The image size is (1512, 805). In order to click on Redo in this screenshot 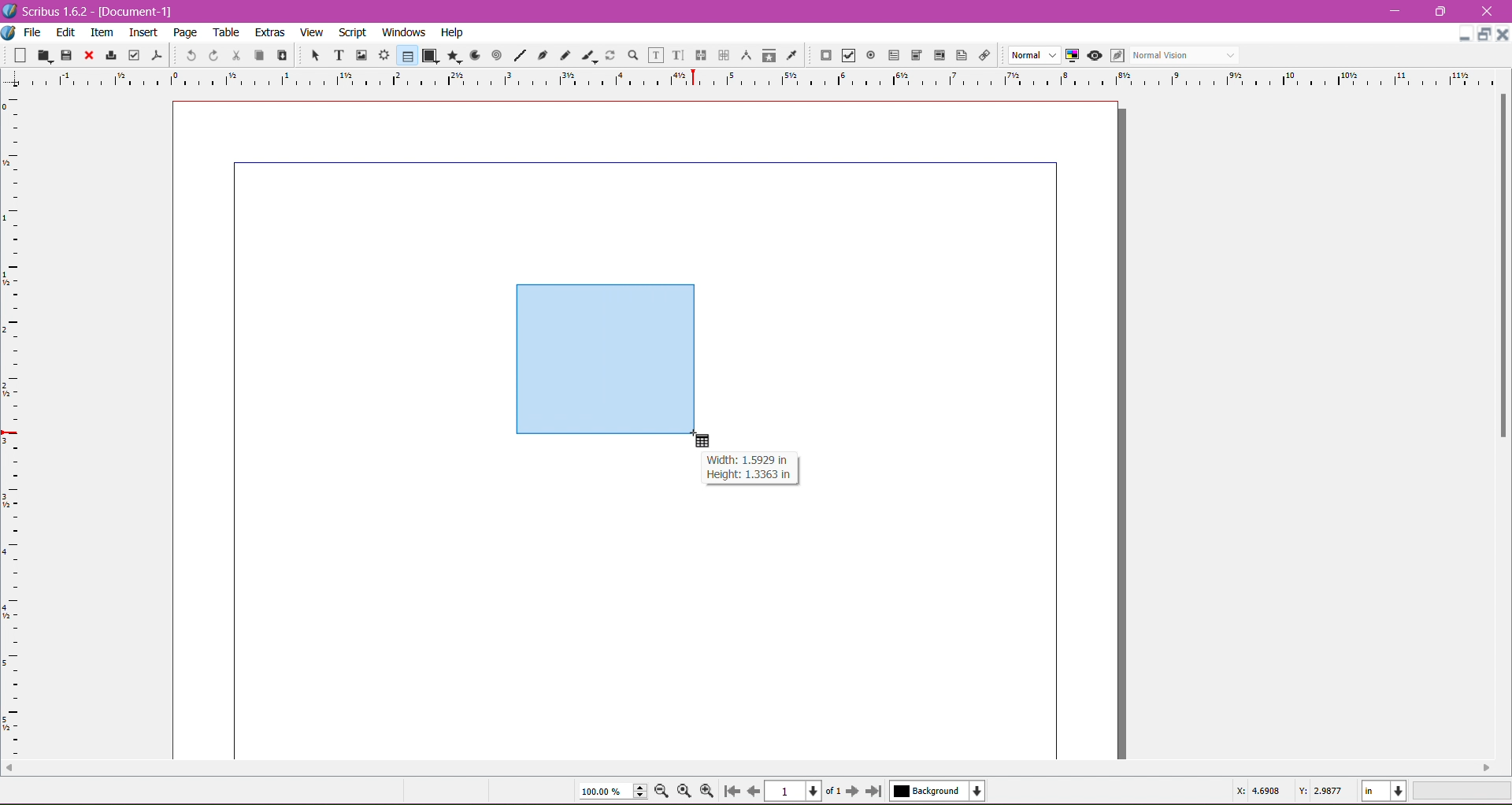, I will do `click(211, 55)`.